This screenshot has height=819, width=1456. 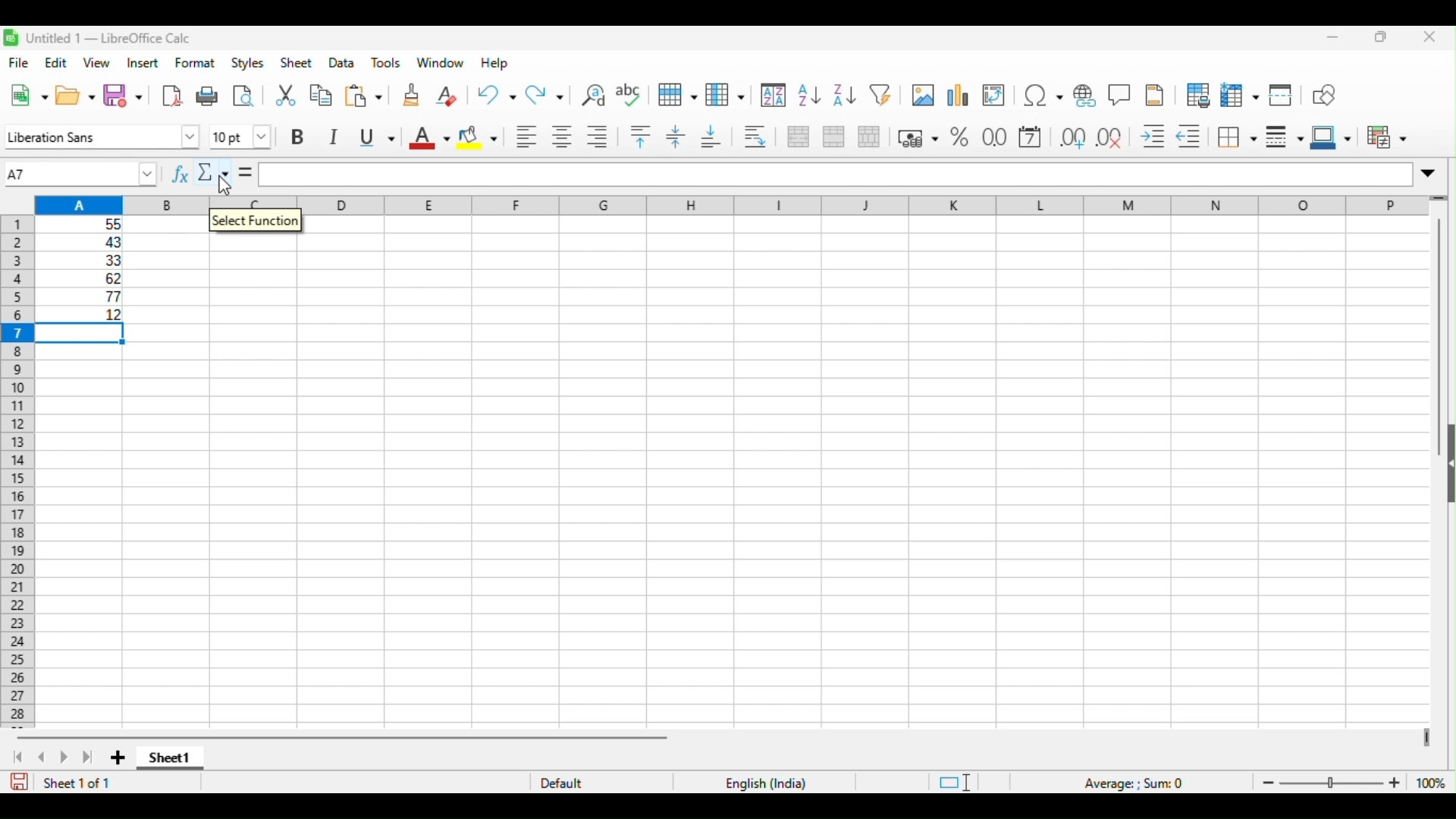 What do you see at coordinates (1042, 93) in the screenshot?
I see `insert special characters` at bounding box center [1042, 93].